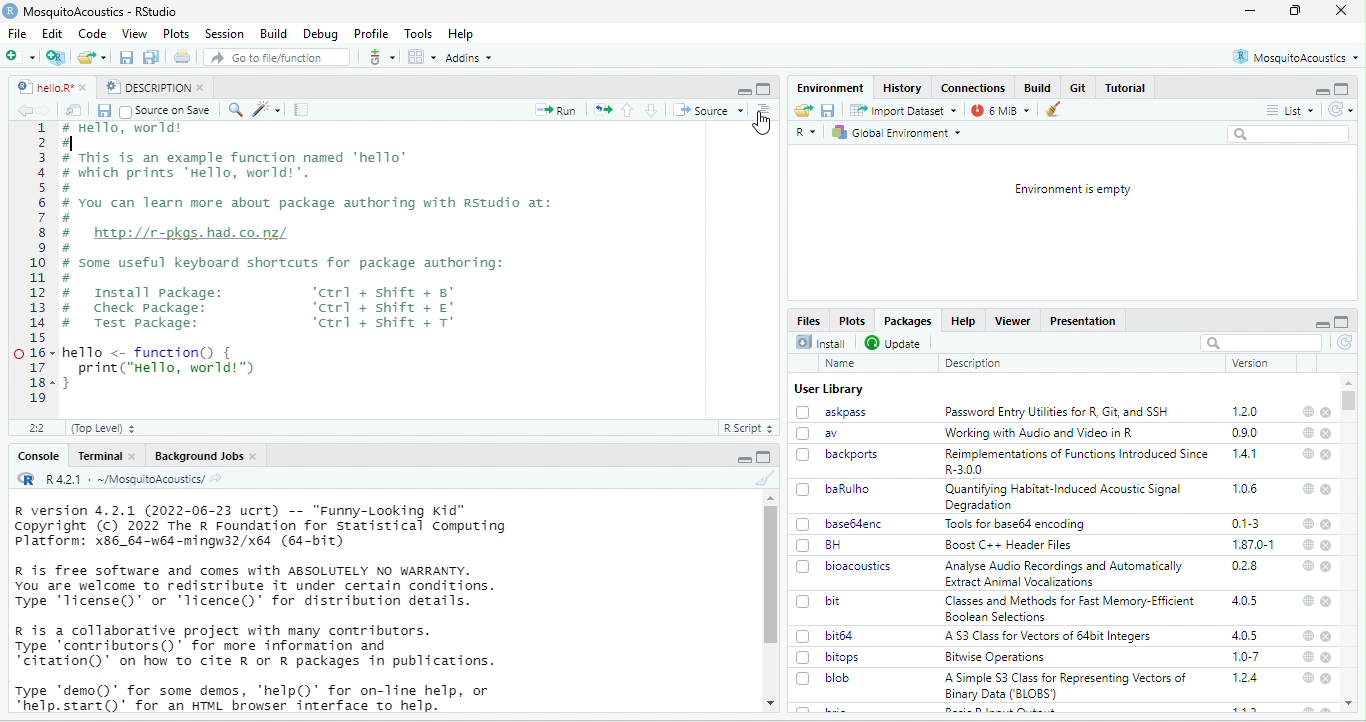  What do you see at coordinates (602, 110) in the screenshot?
I see `Re-run the previous code` at bounding box center [602, 110].